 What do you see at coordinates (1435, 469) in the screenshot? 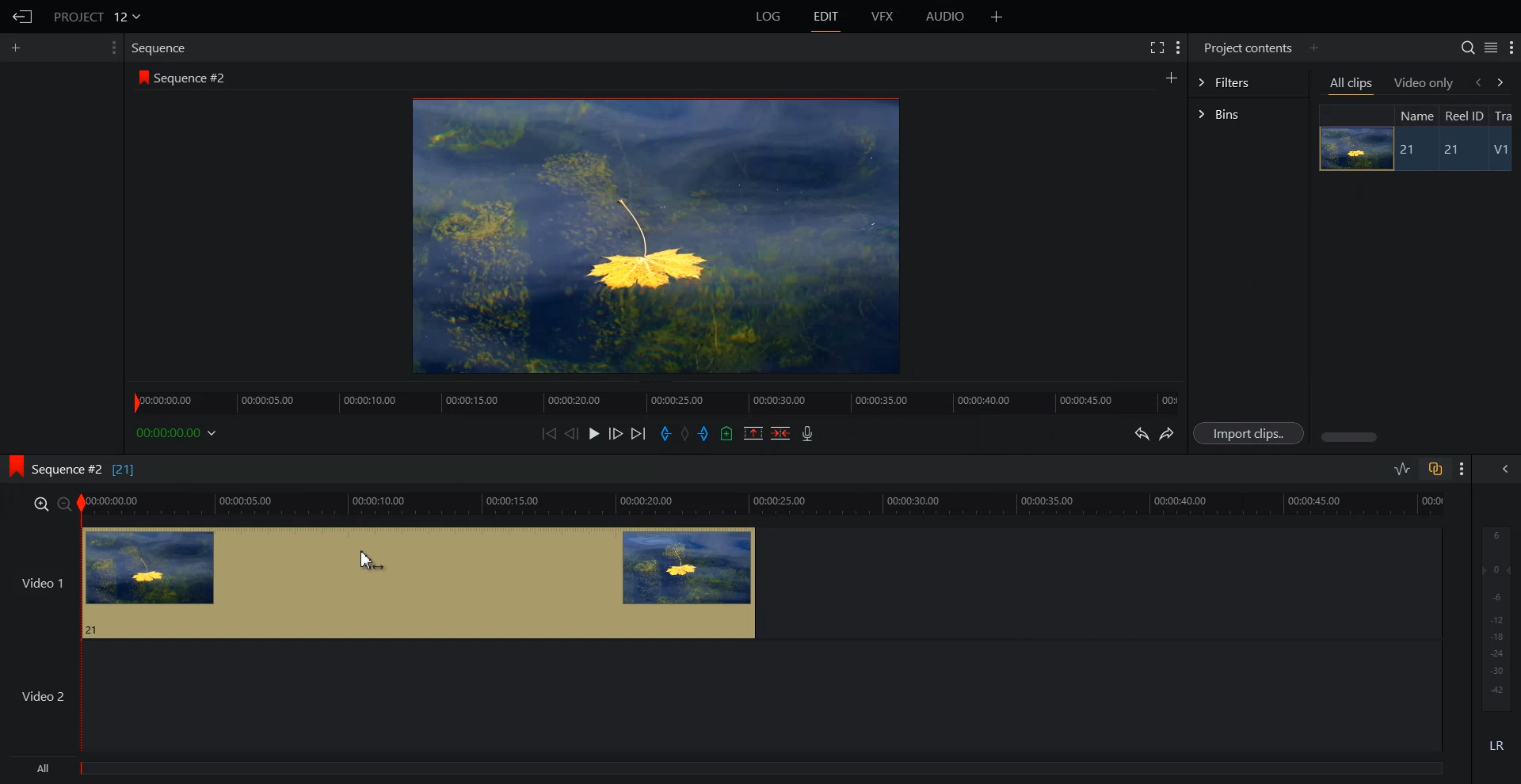
I see `Toggle auto Track sync` at bounding box center [1435, 469].